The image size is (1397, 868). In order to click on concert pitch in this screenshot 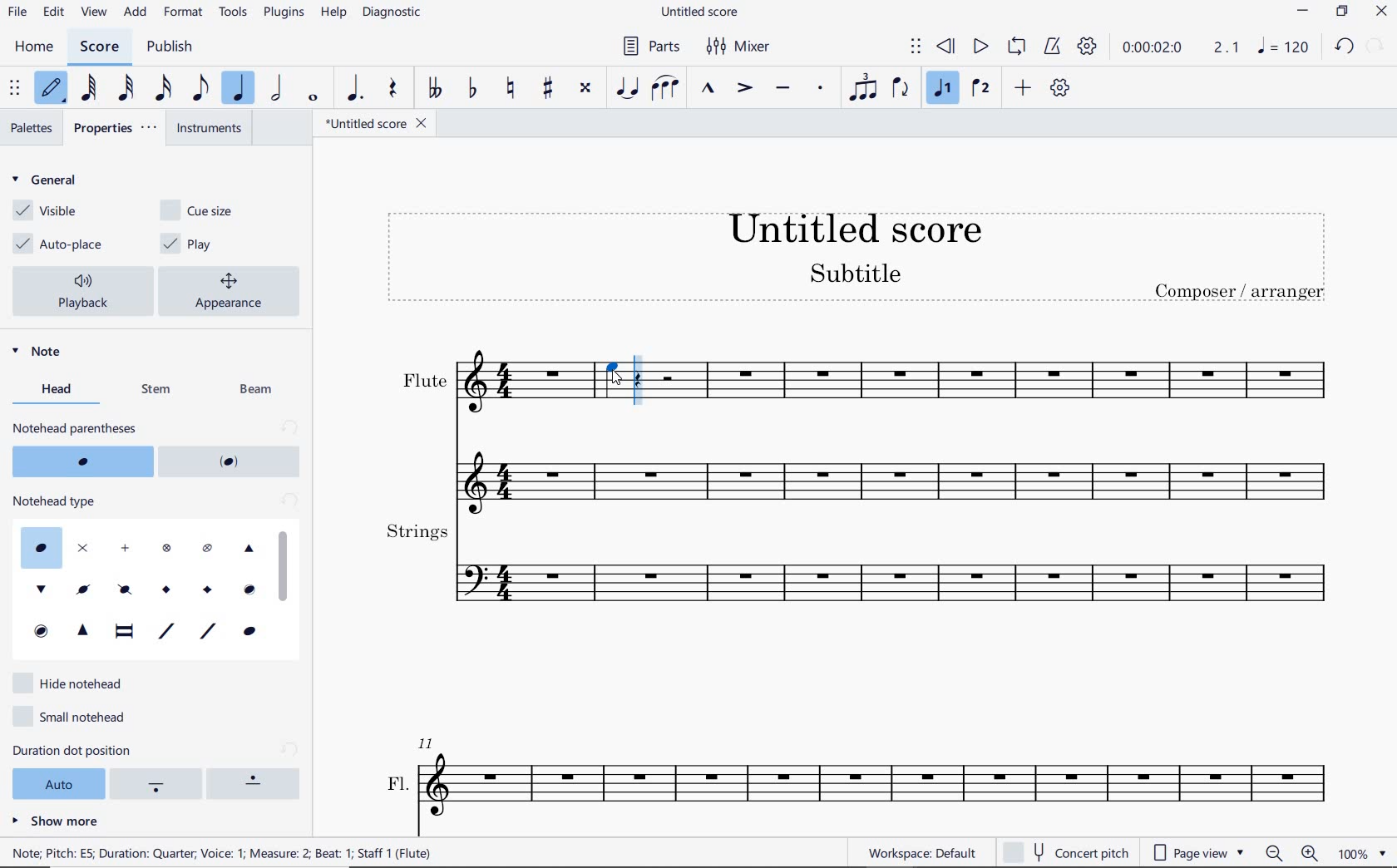, I will do `click(1065, 850)`.